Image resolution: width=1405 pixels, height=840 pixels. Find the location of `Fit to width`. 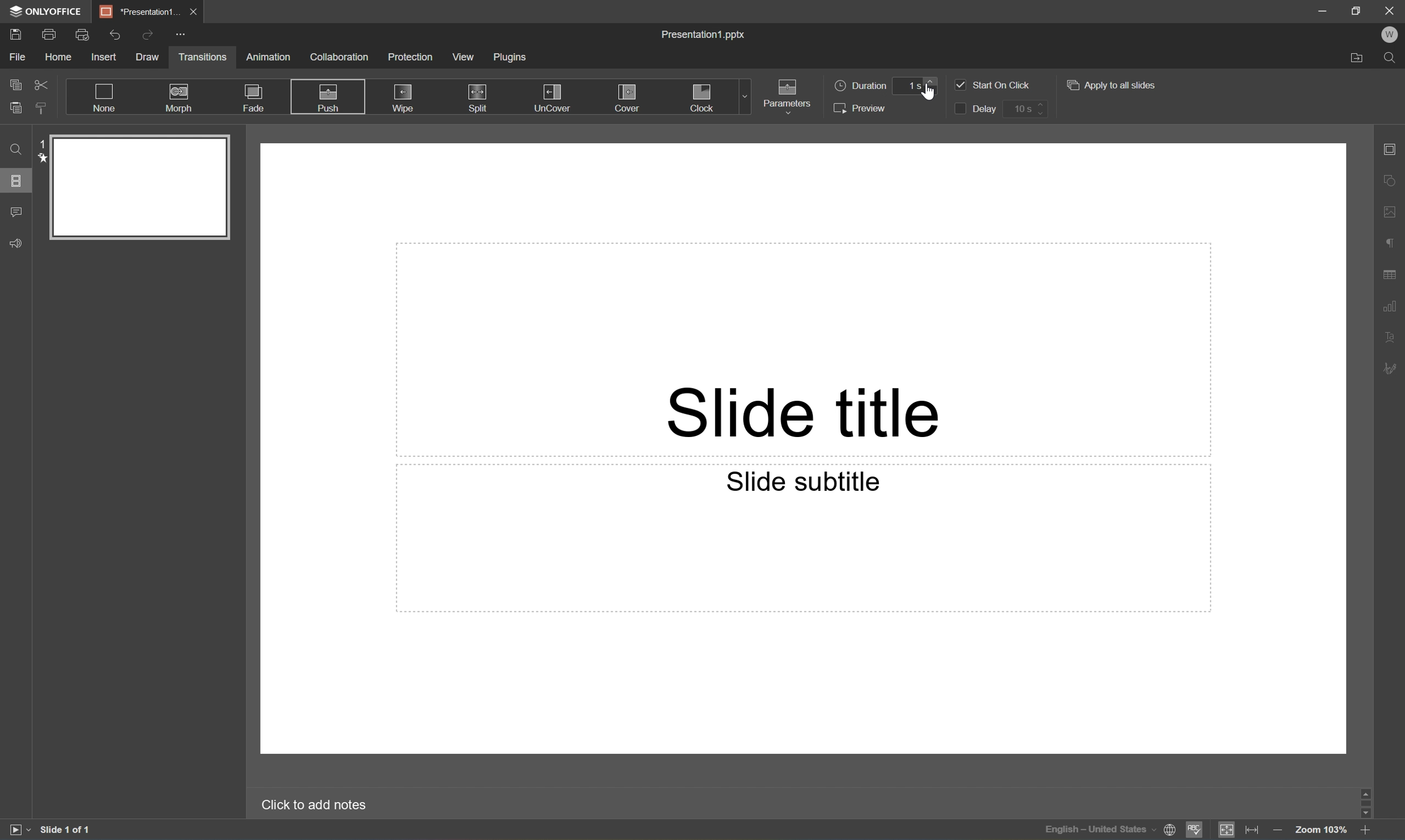

Fit to width is located at coordinates (1253, 831).